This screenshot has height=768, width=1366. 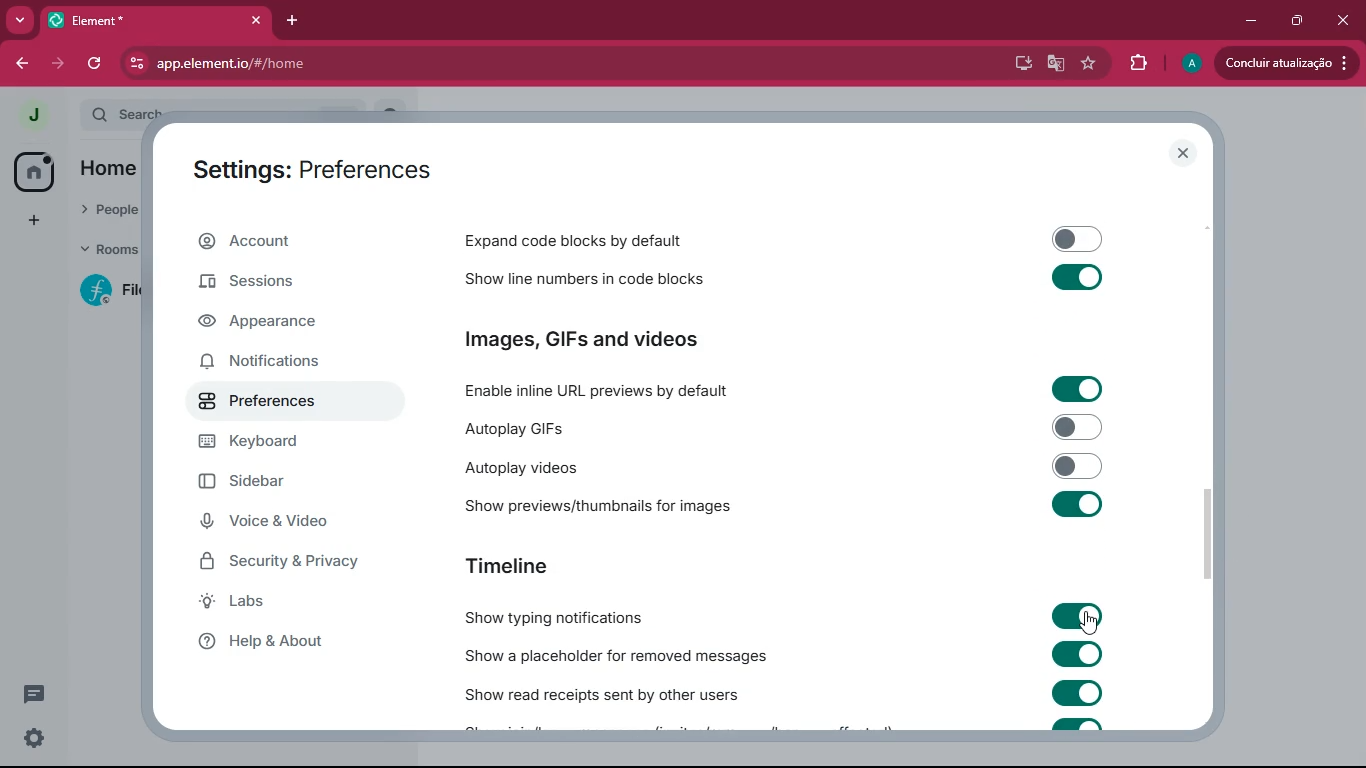 What do you see at coordinates (1079, 427) in the screenshot?
I see `toggle on/off` at bounding box center [1079, 427].